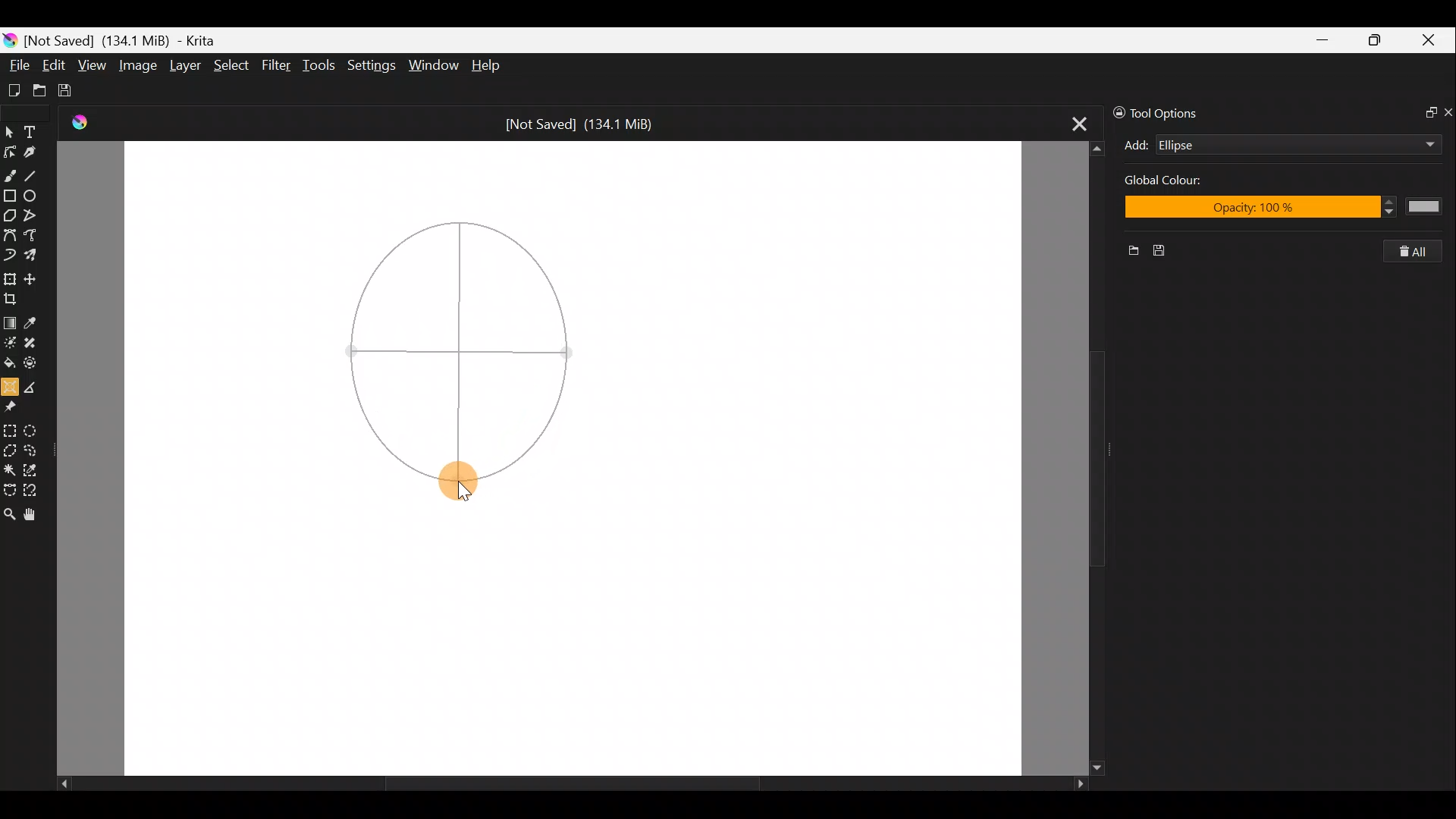  What do you see at coordinates (17, 61) in the screenshot?
I see `File` at bounding box center [17, 61].